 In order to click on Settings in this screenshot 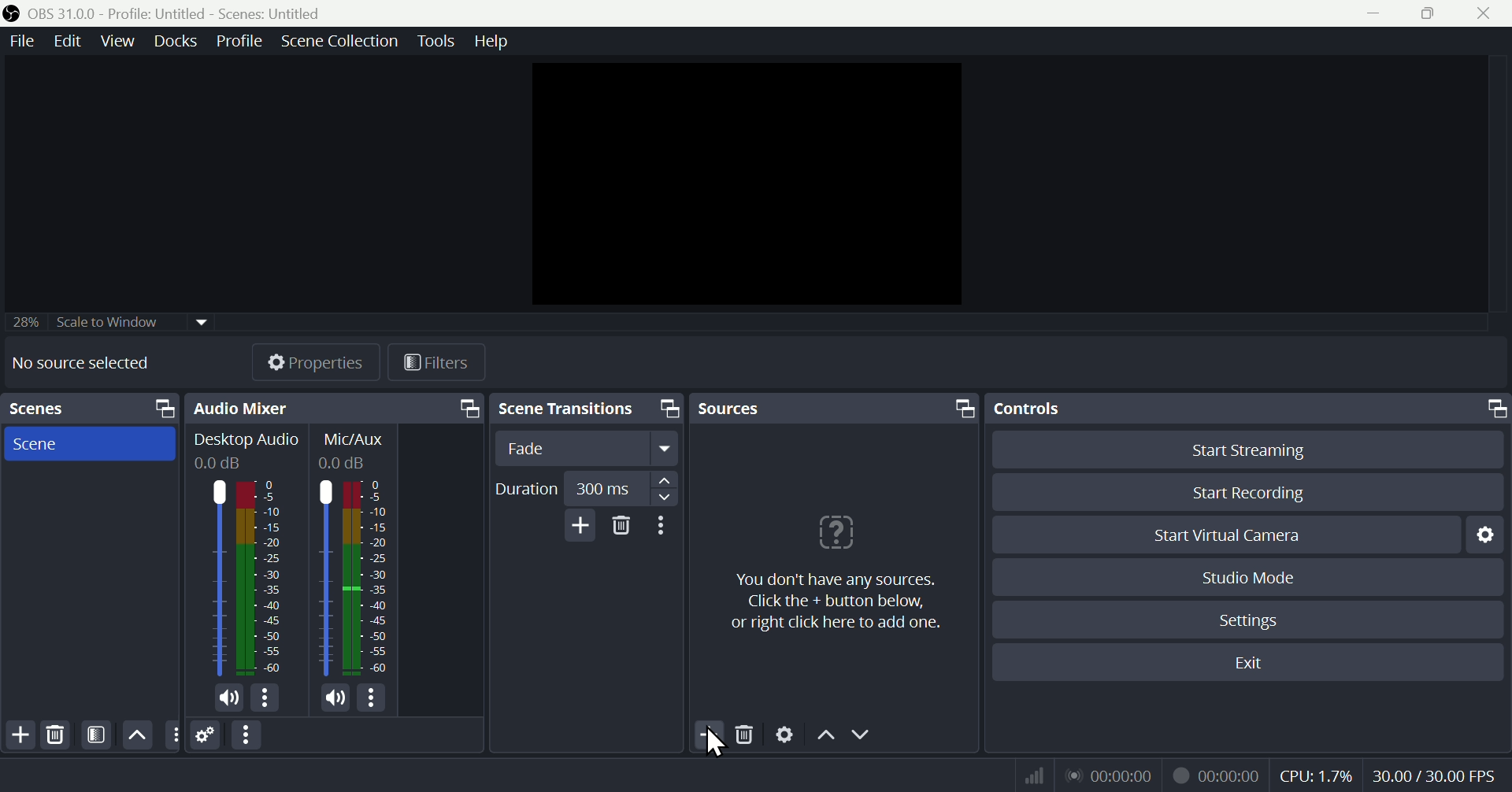, I will do `click(785, 737)`.